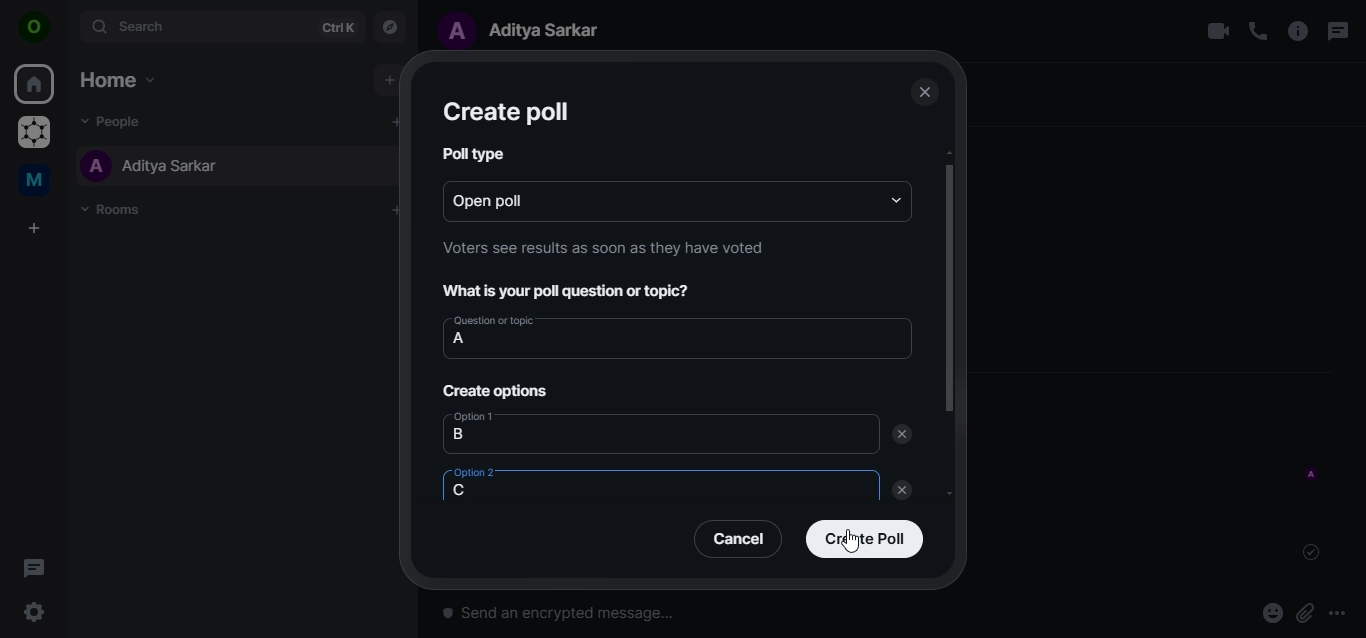 The height and width of the screenshot is (638, 1366). I want to click on close, so click(923, 93).